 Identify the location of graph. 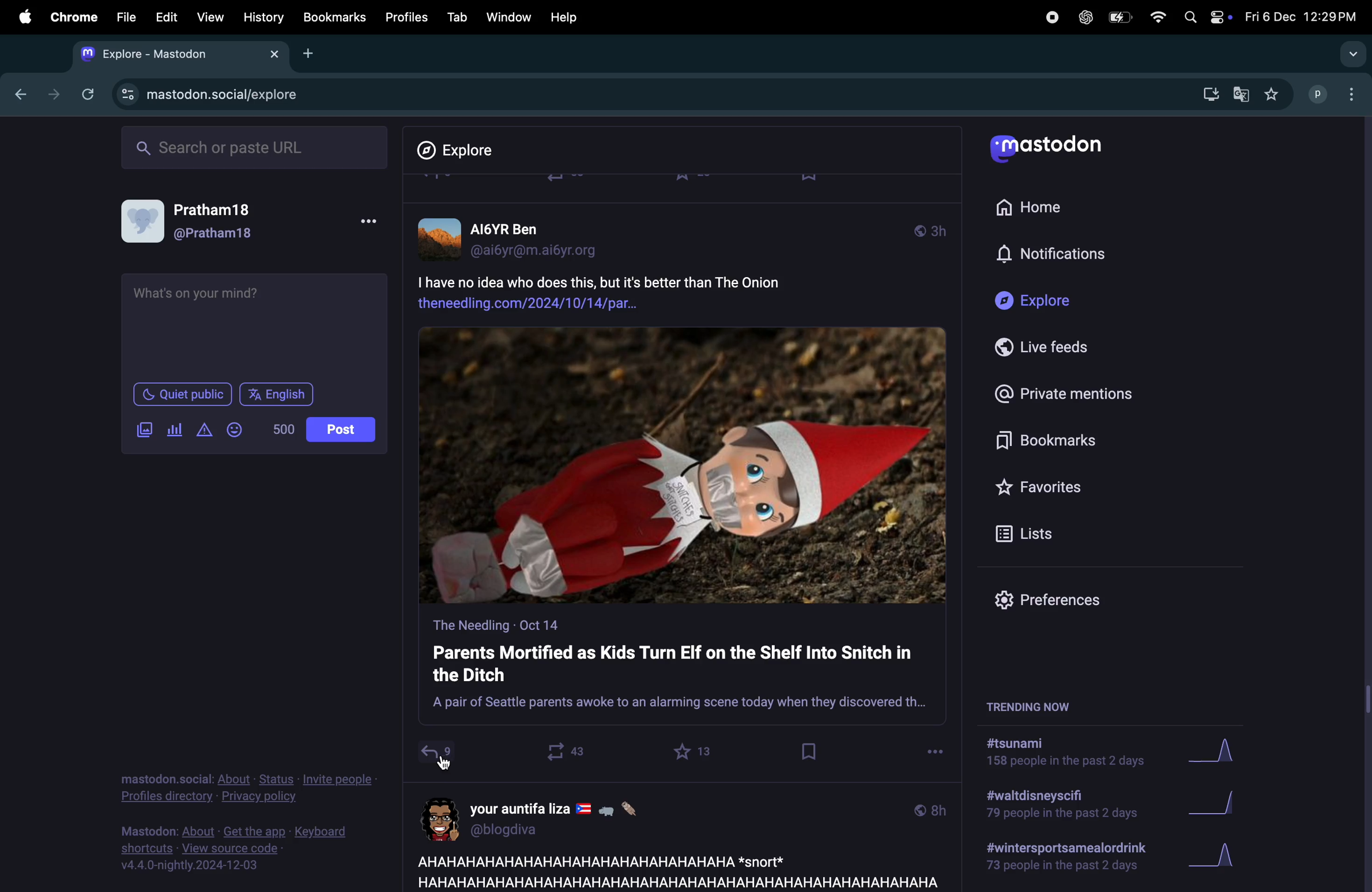
(1222, 753).